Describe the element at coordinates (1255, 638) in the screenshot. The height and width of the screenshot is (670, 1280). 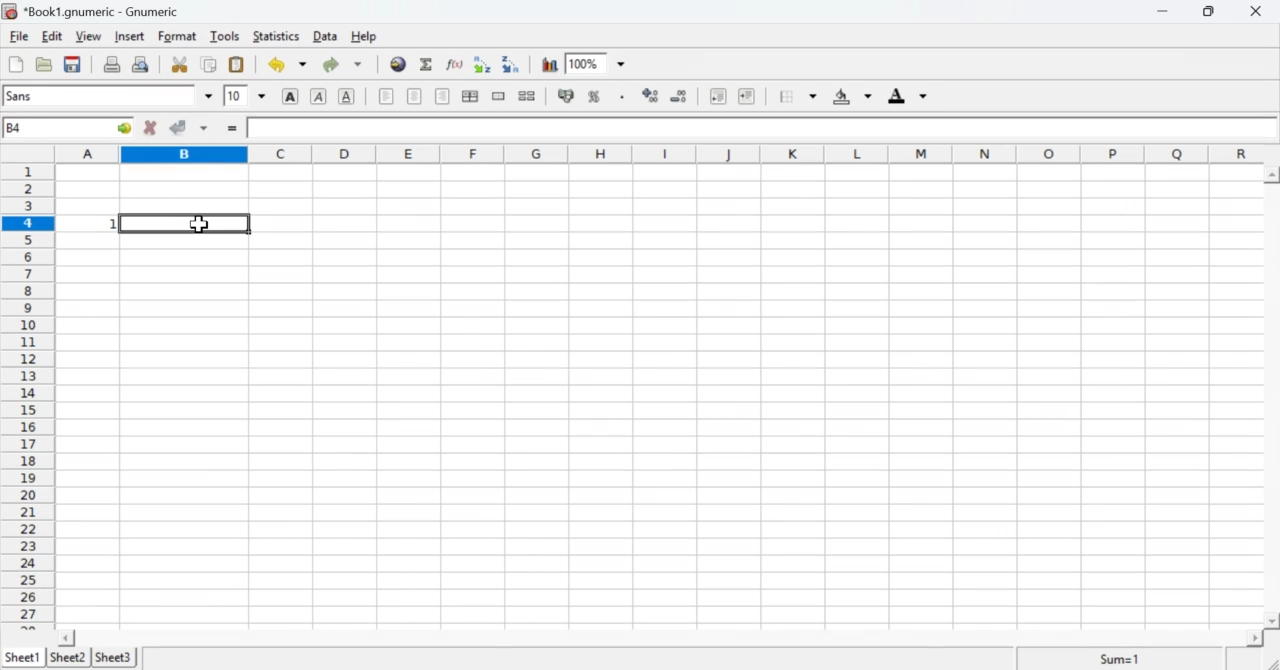
I see `scroll right` at that location.